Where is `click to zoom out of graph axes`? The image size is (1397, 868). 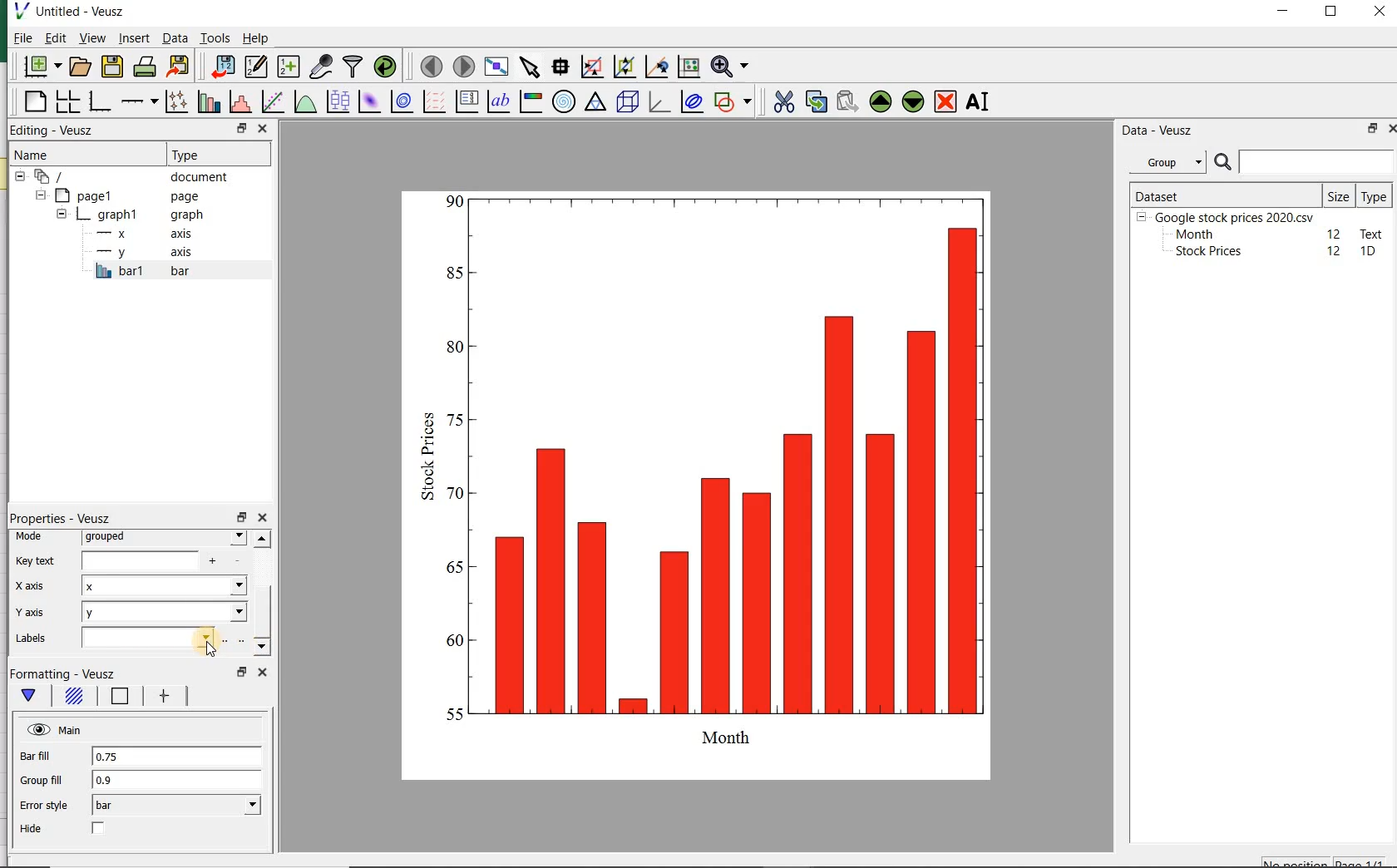 click to zoom out of graph axes is located at coordinates (623, 65).